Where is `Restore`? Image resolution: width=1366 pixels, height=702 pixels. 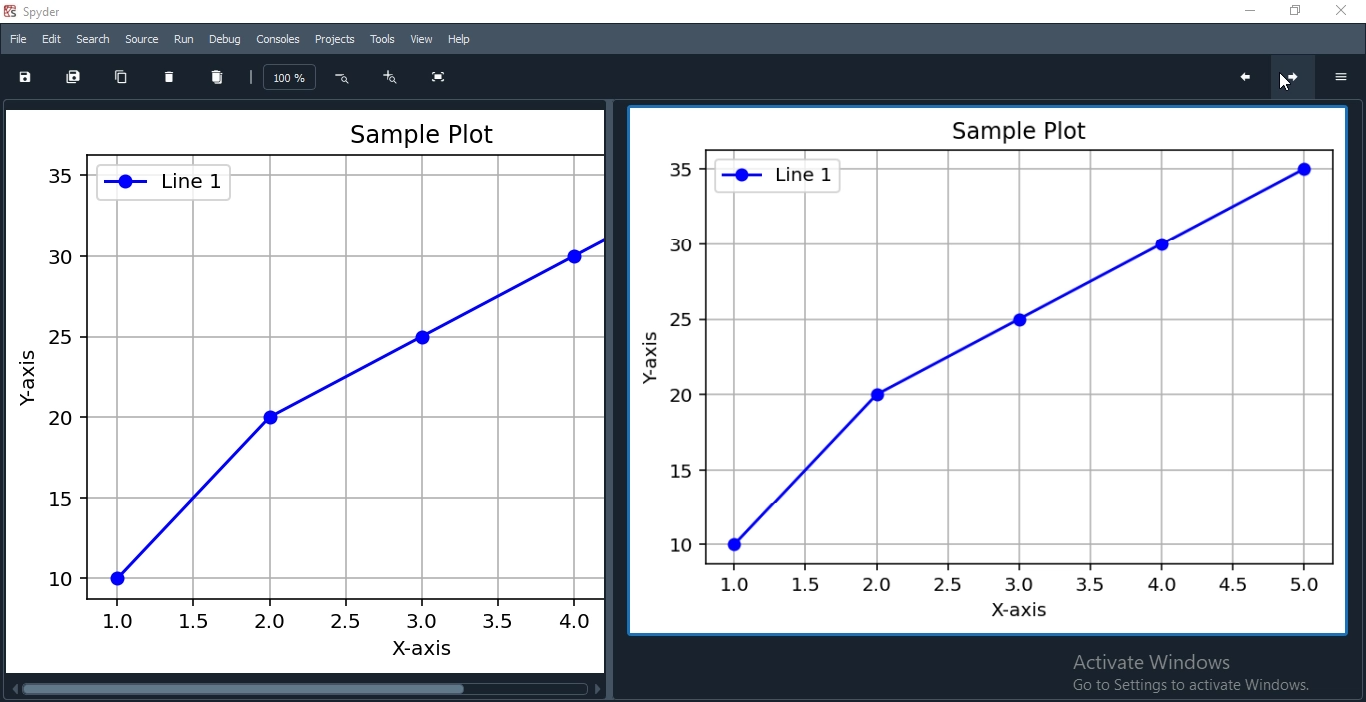 Restore is located at coordinates (1292, 12).